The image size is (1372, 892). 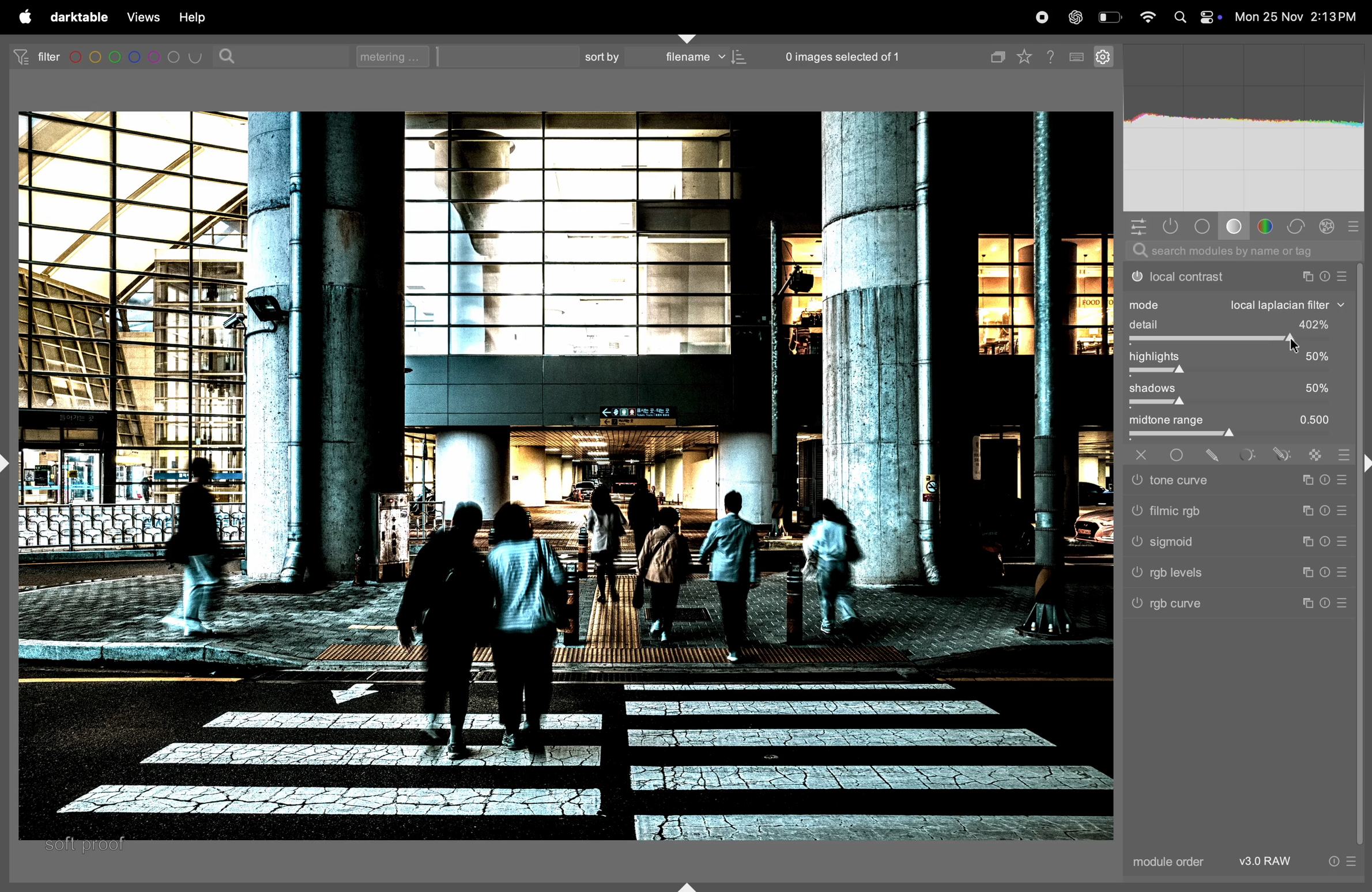 I want to click on battery, so click(x=1110, y=16).